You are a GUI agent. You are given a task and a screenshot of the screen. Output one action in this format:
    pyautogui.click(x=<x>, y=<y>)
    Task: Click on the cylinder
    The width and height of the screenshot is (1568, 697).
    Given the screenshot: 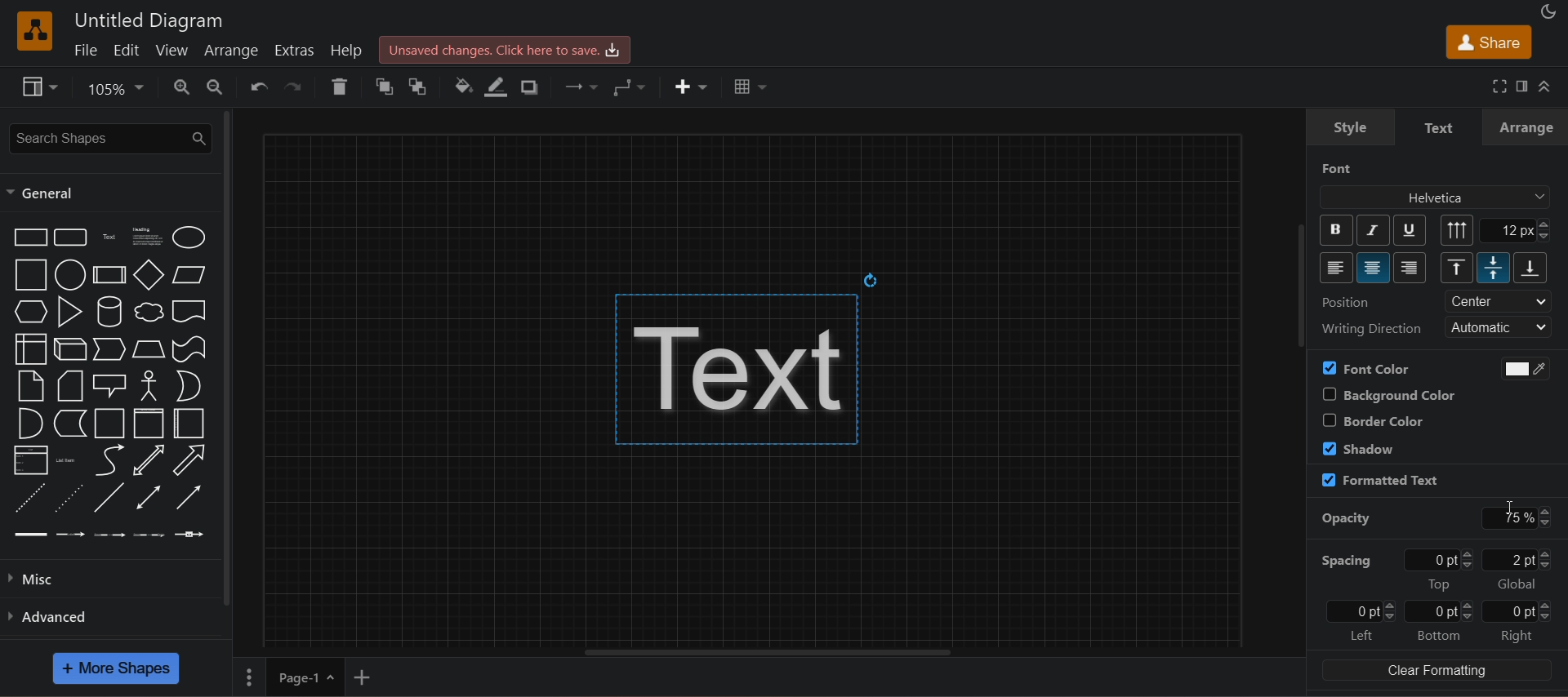 What is the action you would take?
    pyautogui.click(x=110, y=312)
    